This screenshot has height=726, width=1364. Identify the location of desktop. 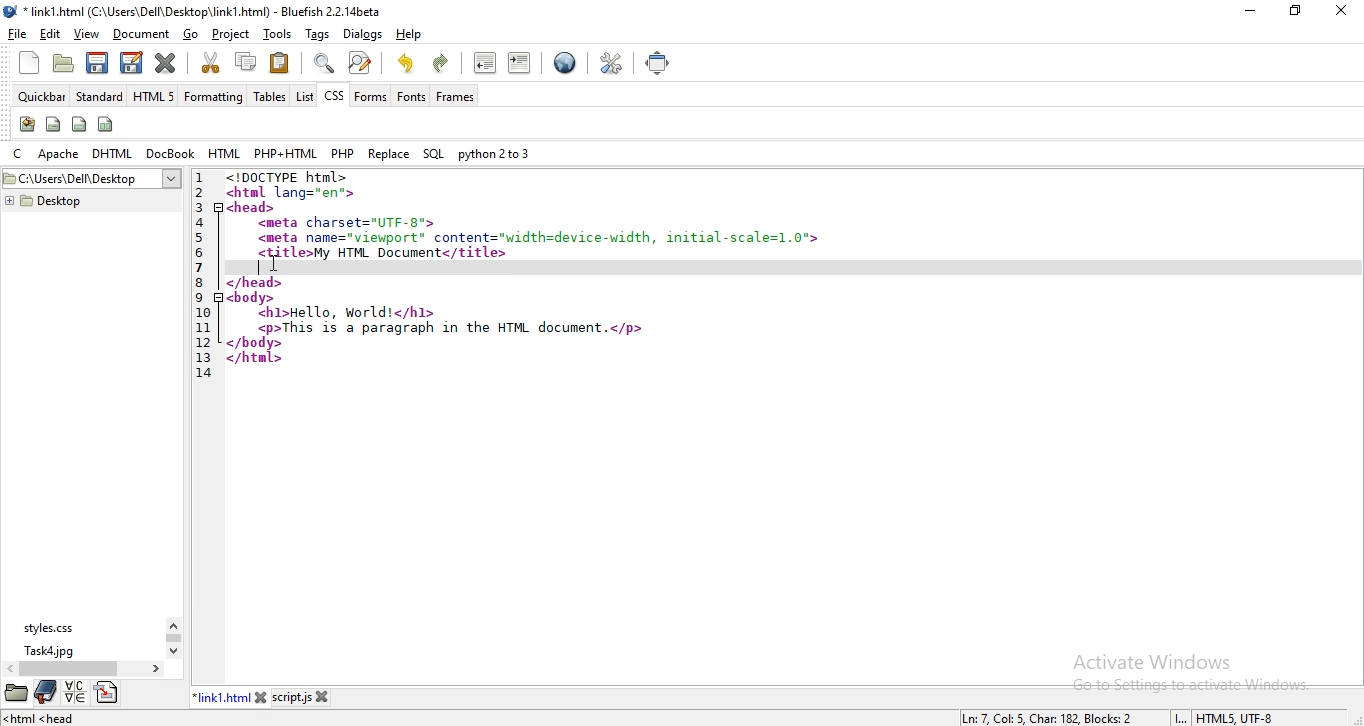
(93, 179).